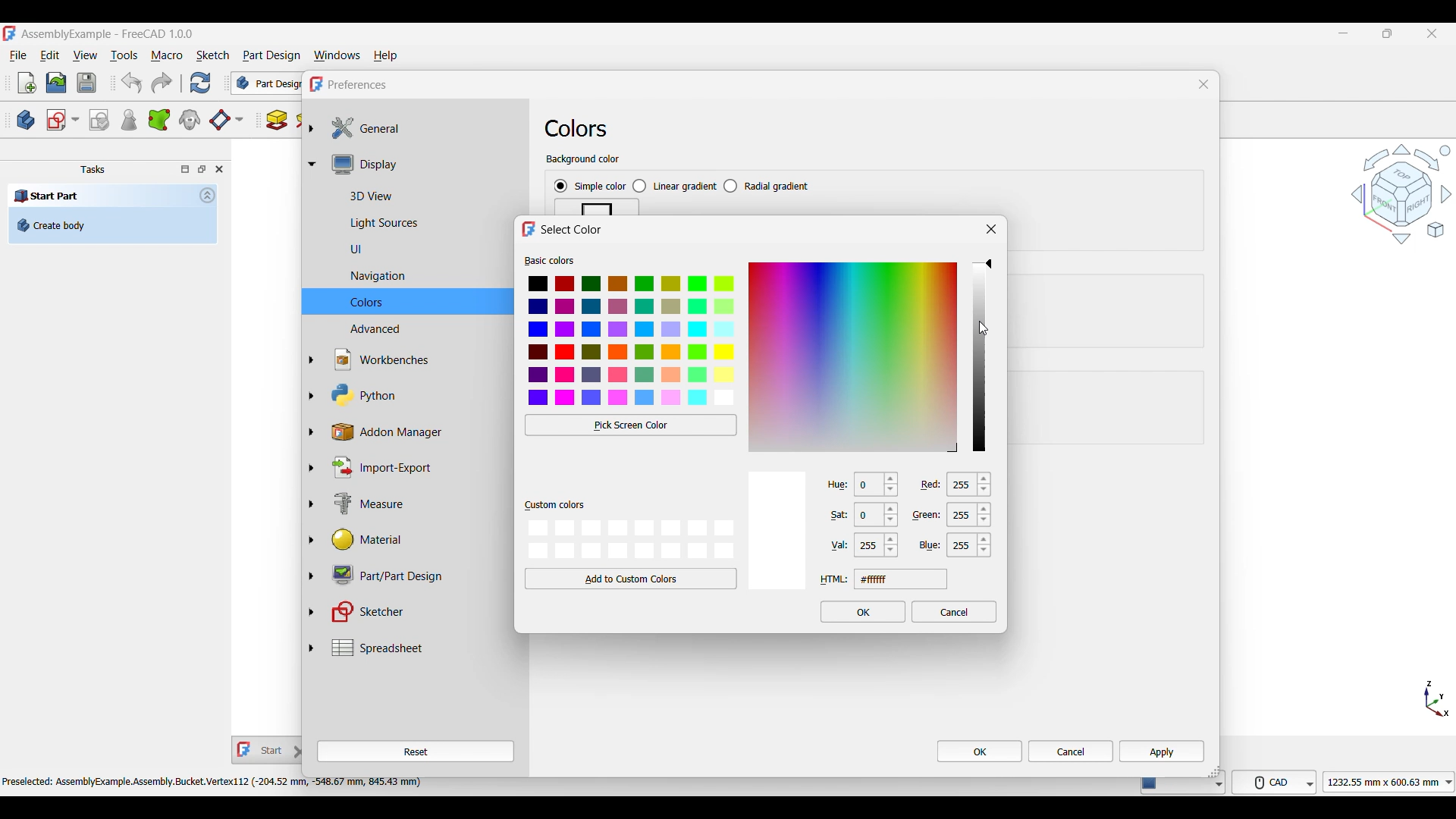  What do you see at coordinates (632, 341) in the screenshot?
I see `Basic color options` at bounding box center [632, 341].